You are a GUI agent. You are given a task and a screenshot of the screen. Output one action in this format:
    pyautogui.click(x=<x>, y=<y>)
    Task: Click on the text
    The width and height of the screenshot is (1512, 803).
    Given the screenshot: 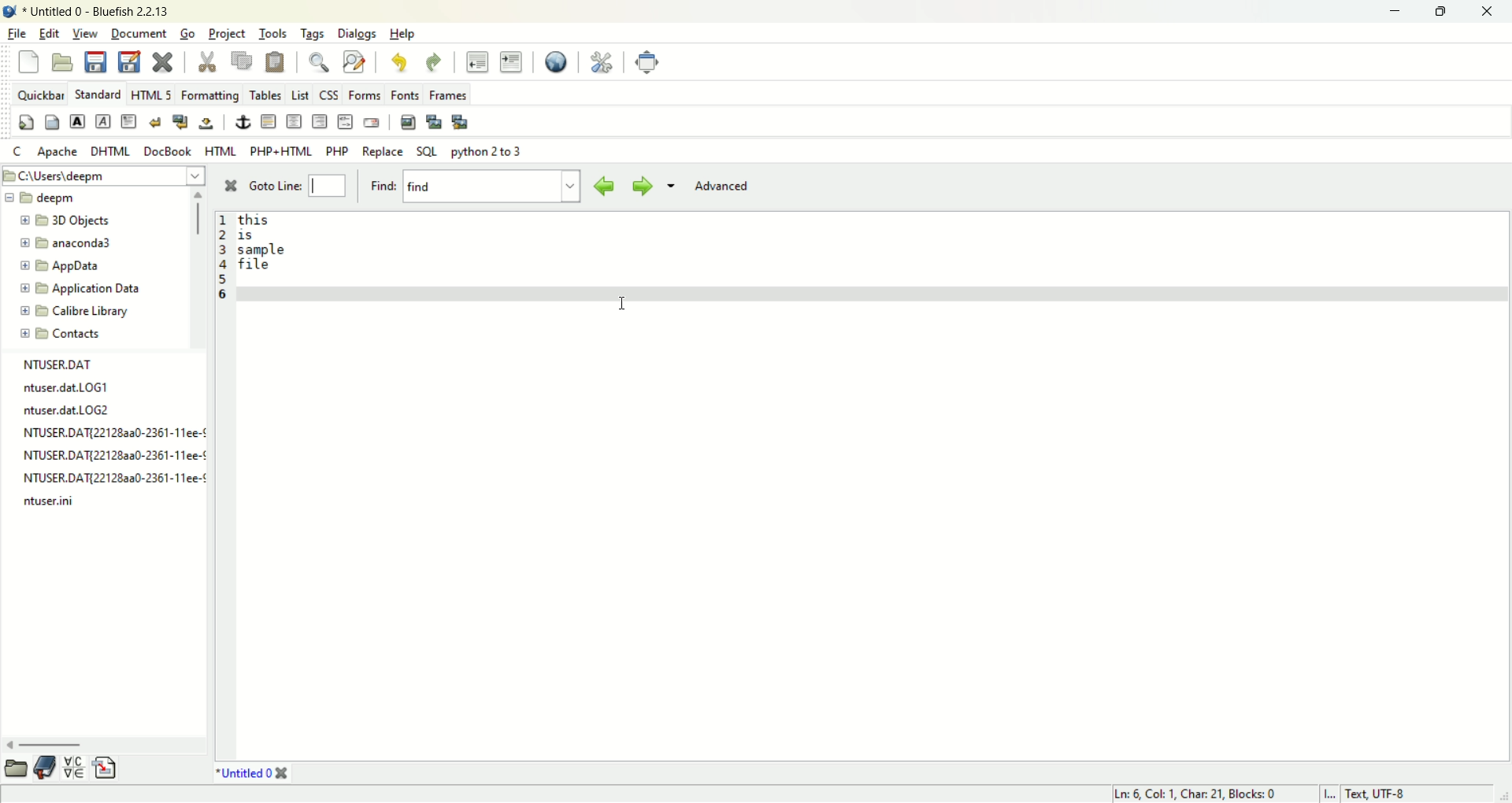 What is the action you would take?
    pyautogui.click(x=266, y=246)
    